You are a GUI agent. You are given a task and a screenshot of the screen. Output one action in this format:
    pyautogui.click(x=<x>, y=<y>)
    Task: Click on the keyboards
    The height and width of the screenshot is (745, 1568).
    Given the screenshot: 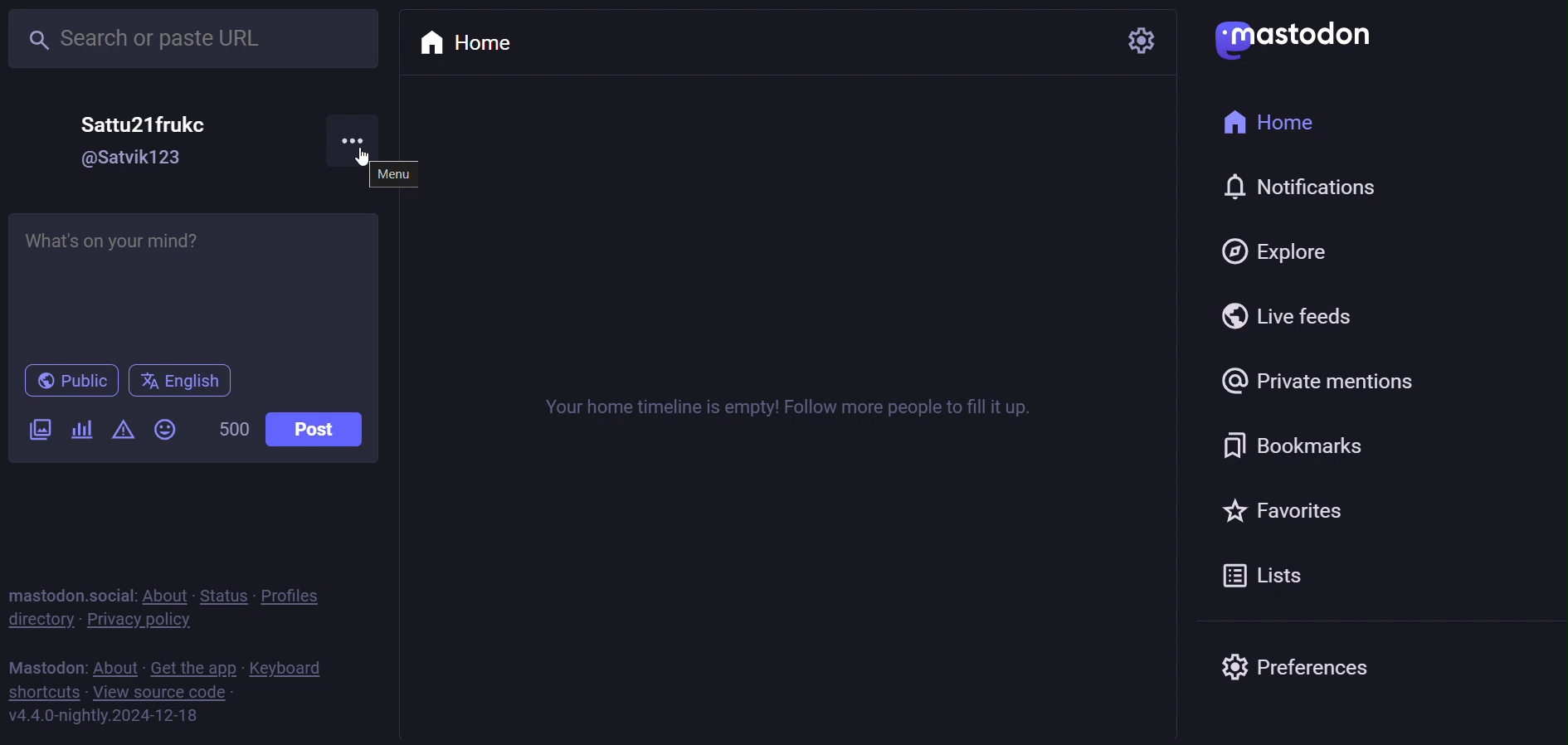 What is the action you would take?
    pyautogui.click(x=299, y=665)
    